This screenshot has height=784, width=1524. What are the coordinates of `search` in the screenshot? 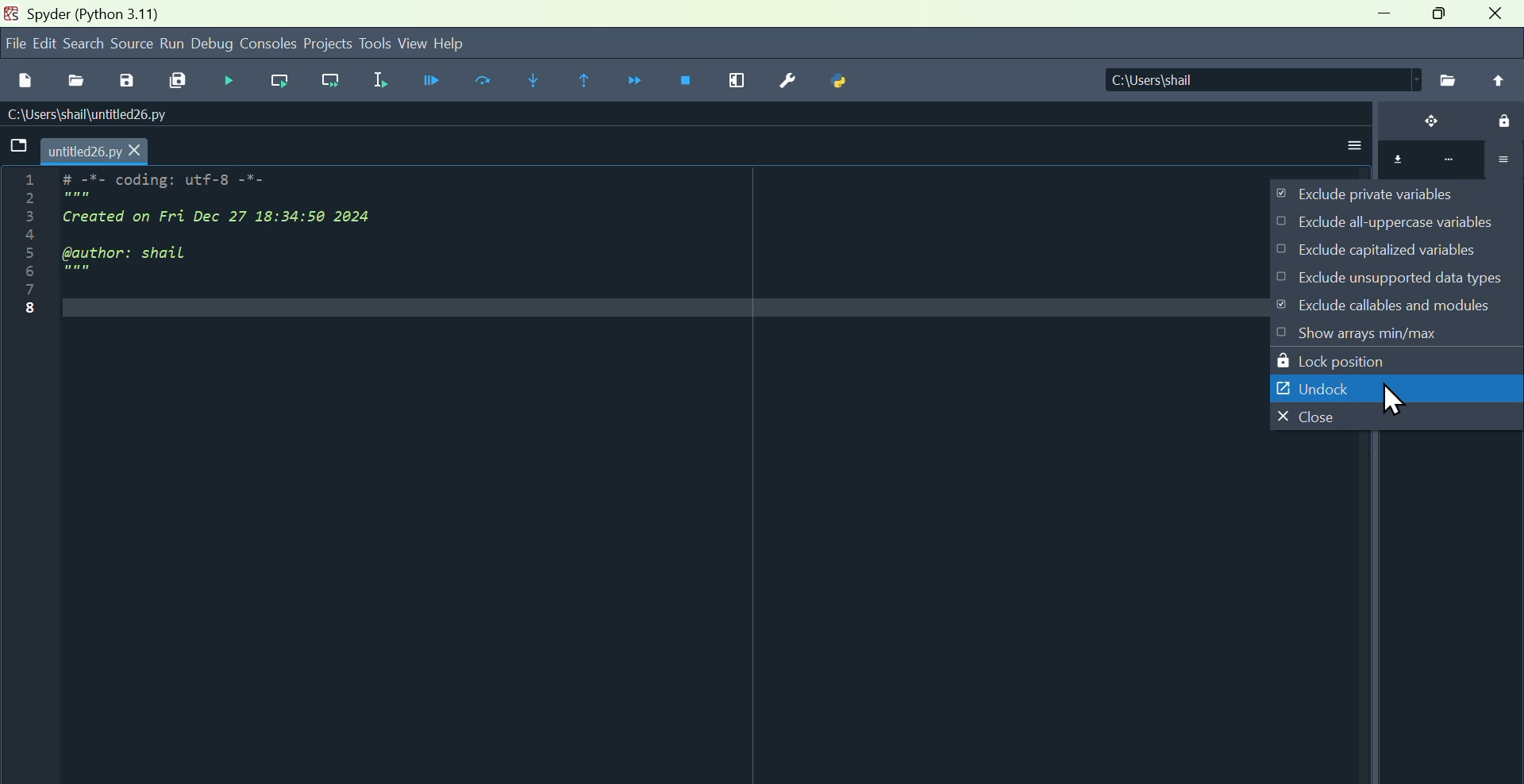 It's located at (85, 42).